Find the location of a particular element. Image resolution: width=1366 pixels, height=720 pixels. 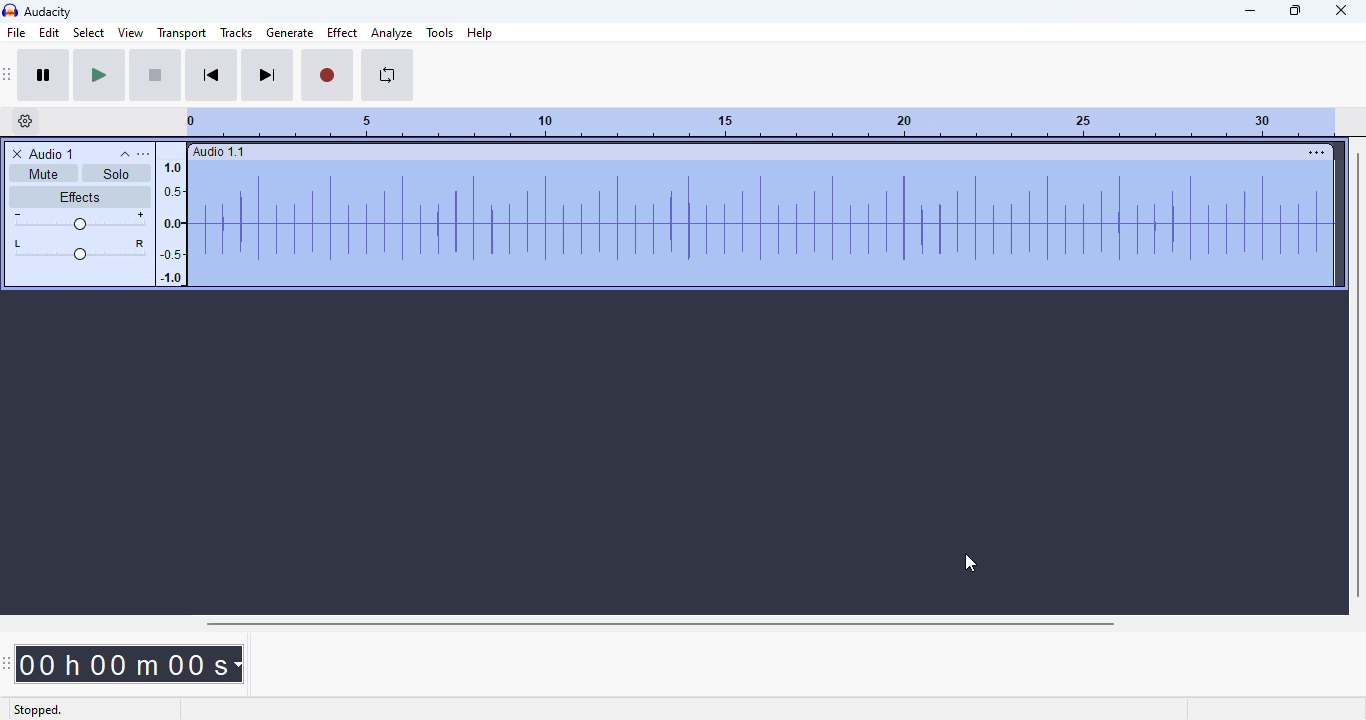

audio 1.1 is located at coordinates (219, 151).